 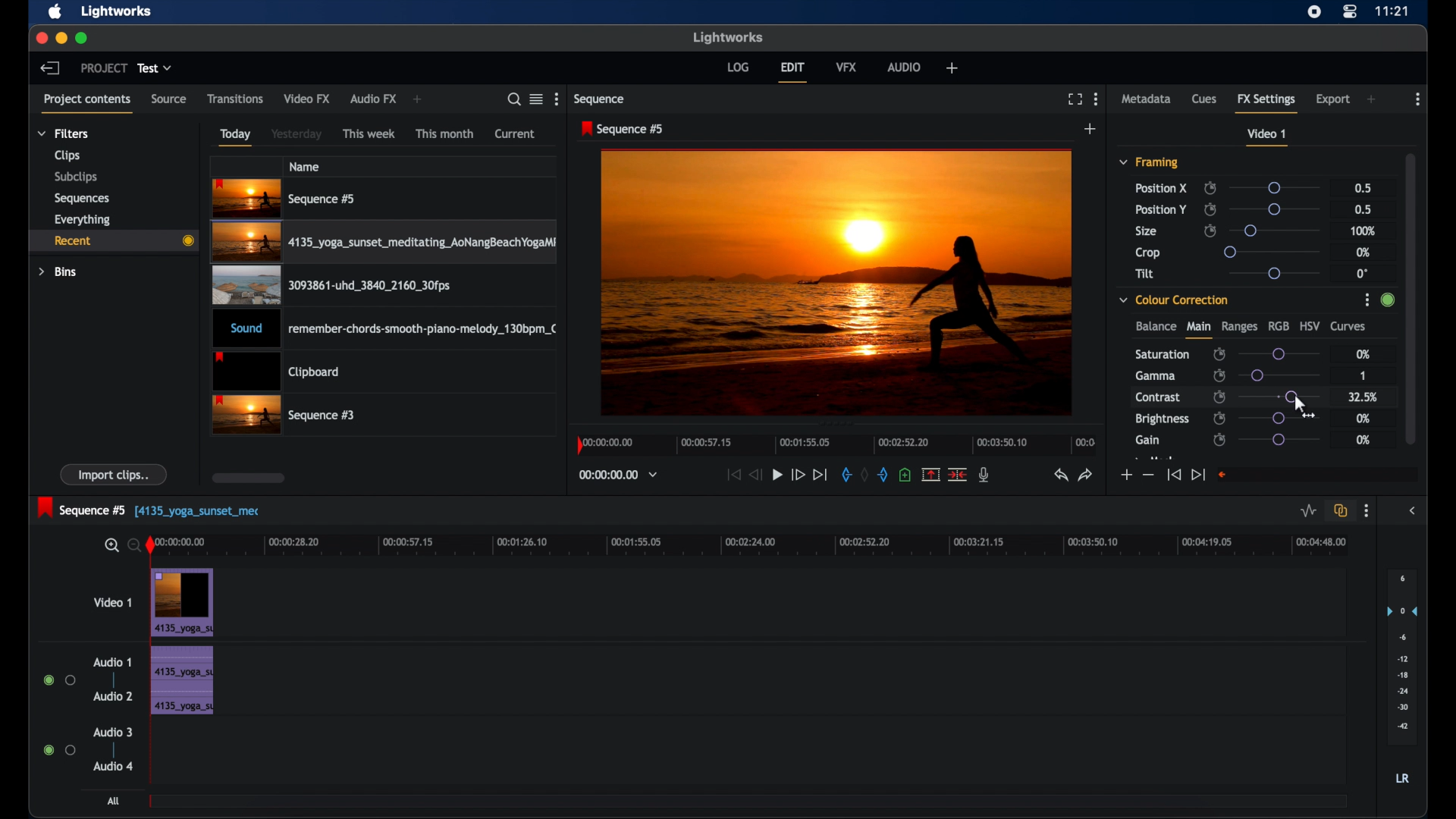 I want to click on position y, so click(x=1160, y=209).